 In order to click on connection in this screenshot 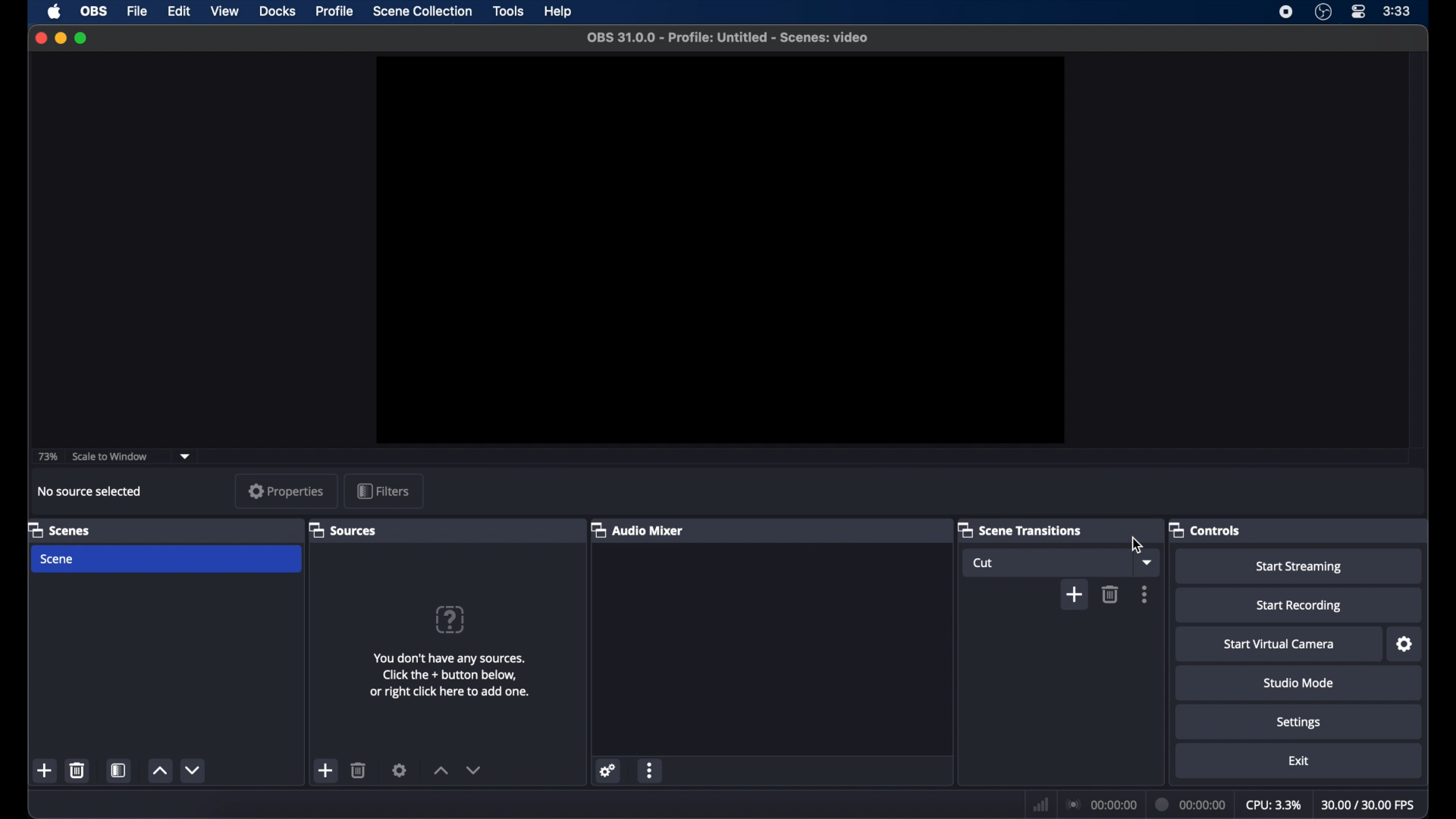, I will do `click(1100, 801)`.